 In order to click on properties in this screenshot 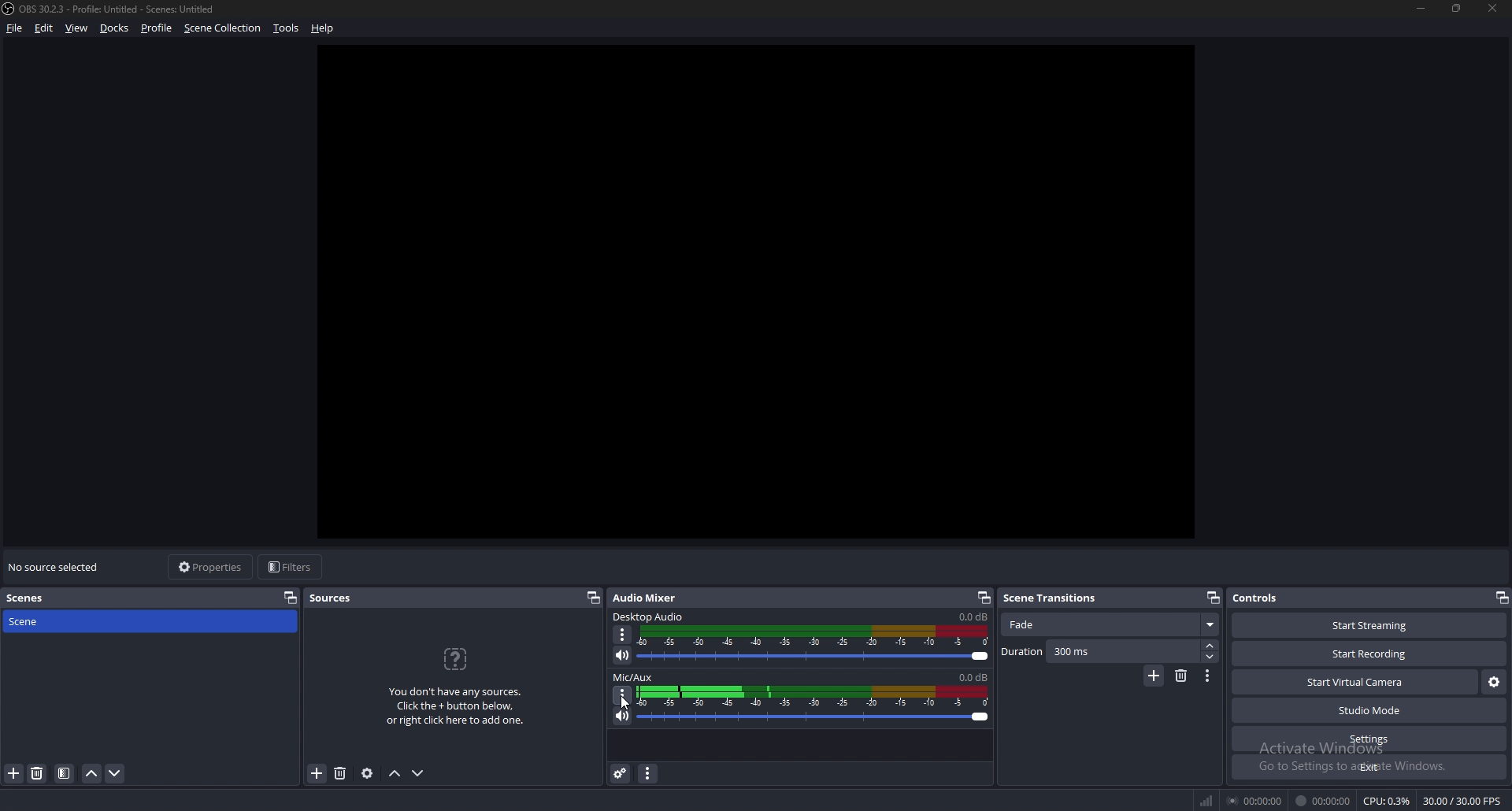, I will do `click(215, 568)`.